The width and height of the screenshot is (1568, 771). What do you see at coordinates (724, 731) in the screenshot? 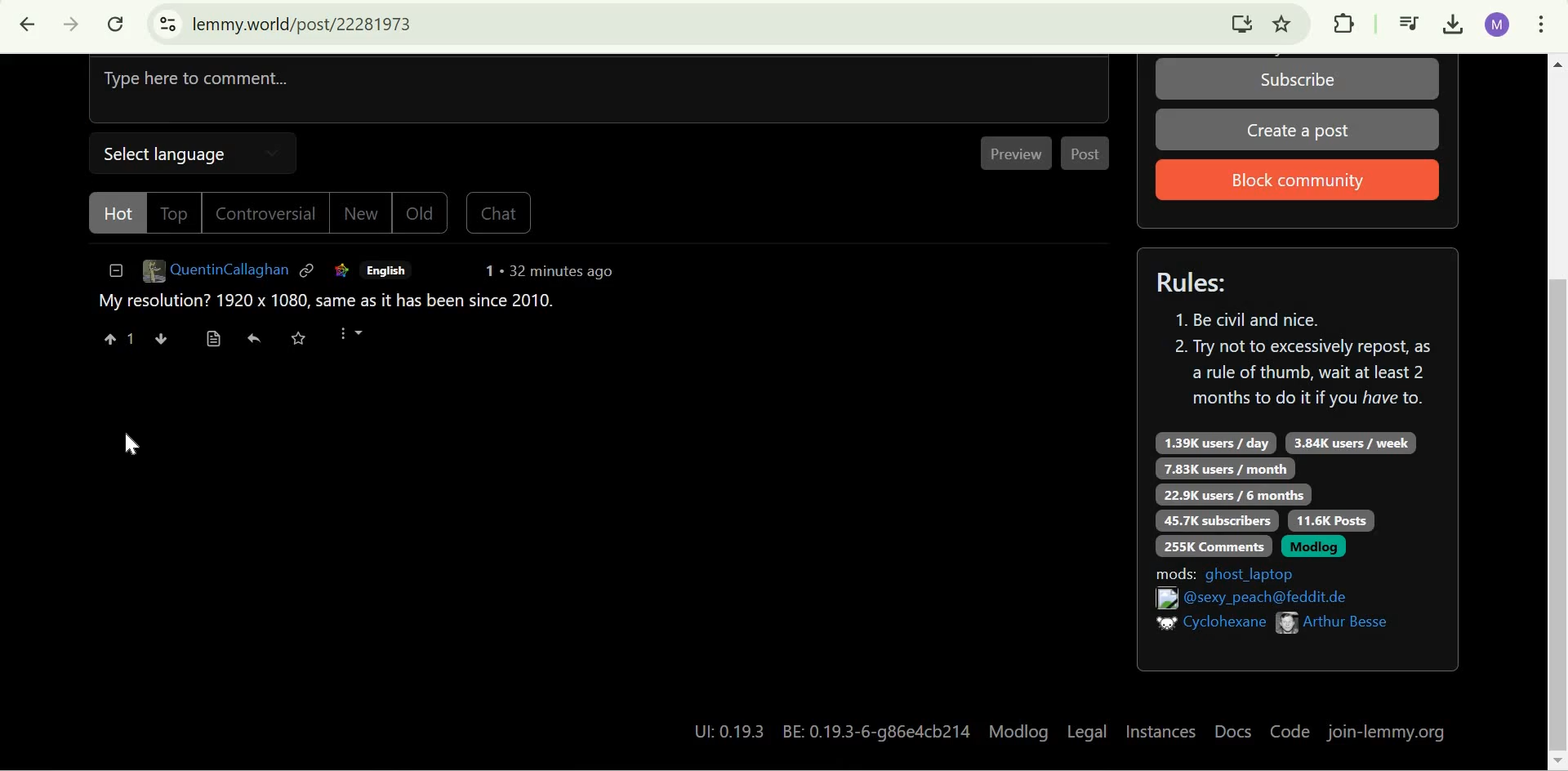
I see `UI: 0.19.3` at bounding box center [724, 731].